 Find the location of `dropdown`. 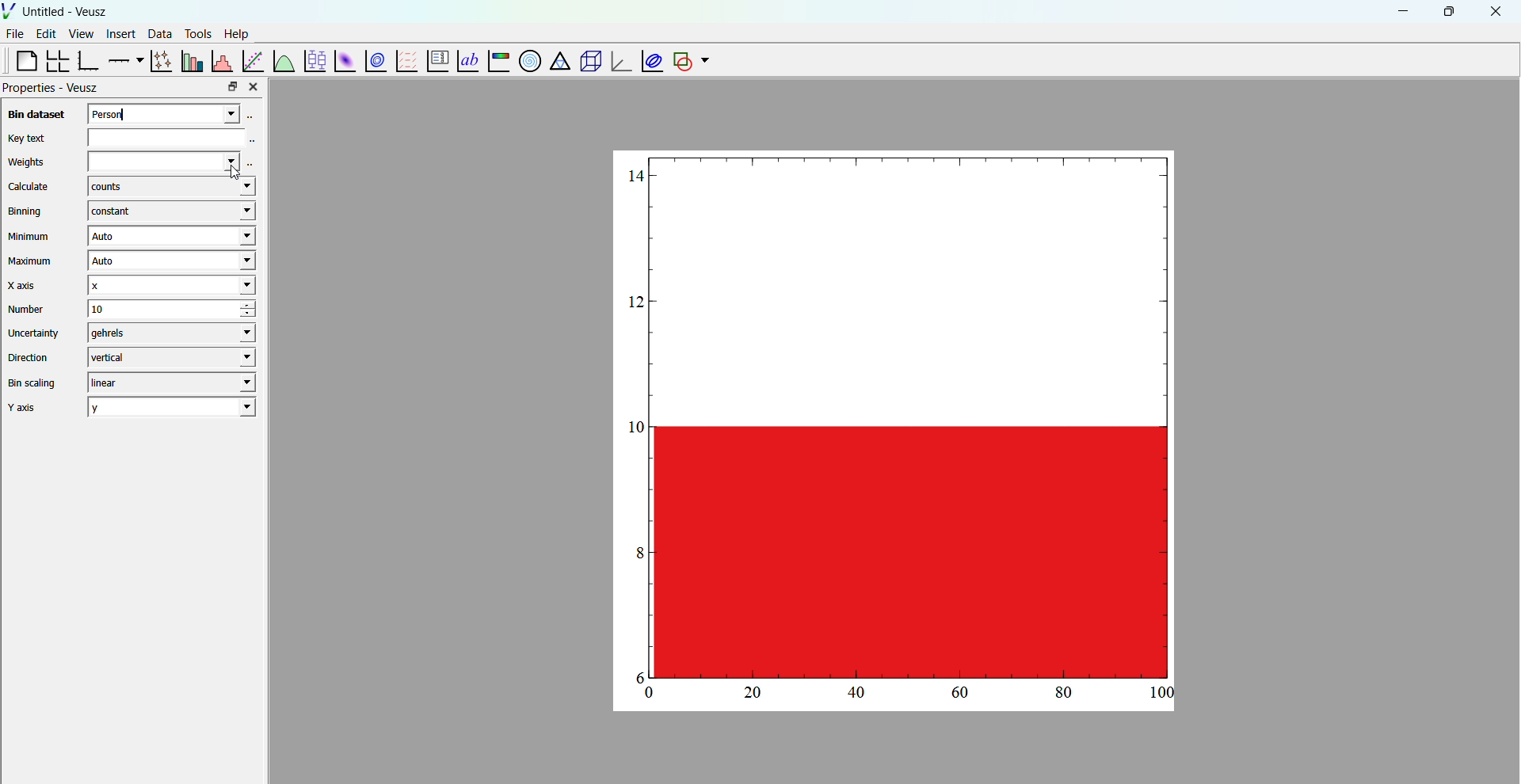

dropdown is located at coordinates (705, 61).